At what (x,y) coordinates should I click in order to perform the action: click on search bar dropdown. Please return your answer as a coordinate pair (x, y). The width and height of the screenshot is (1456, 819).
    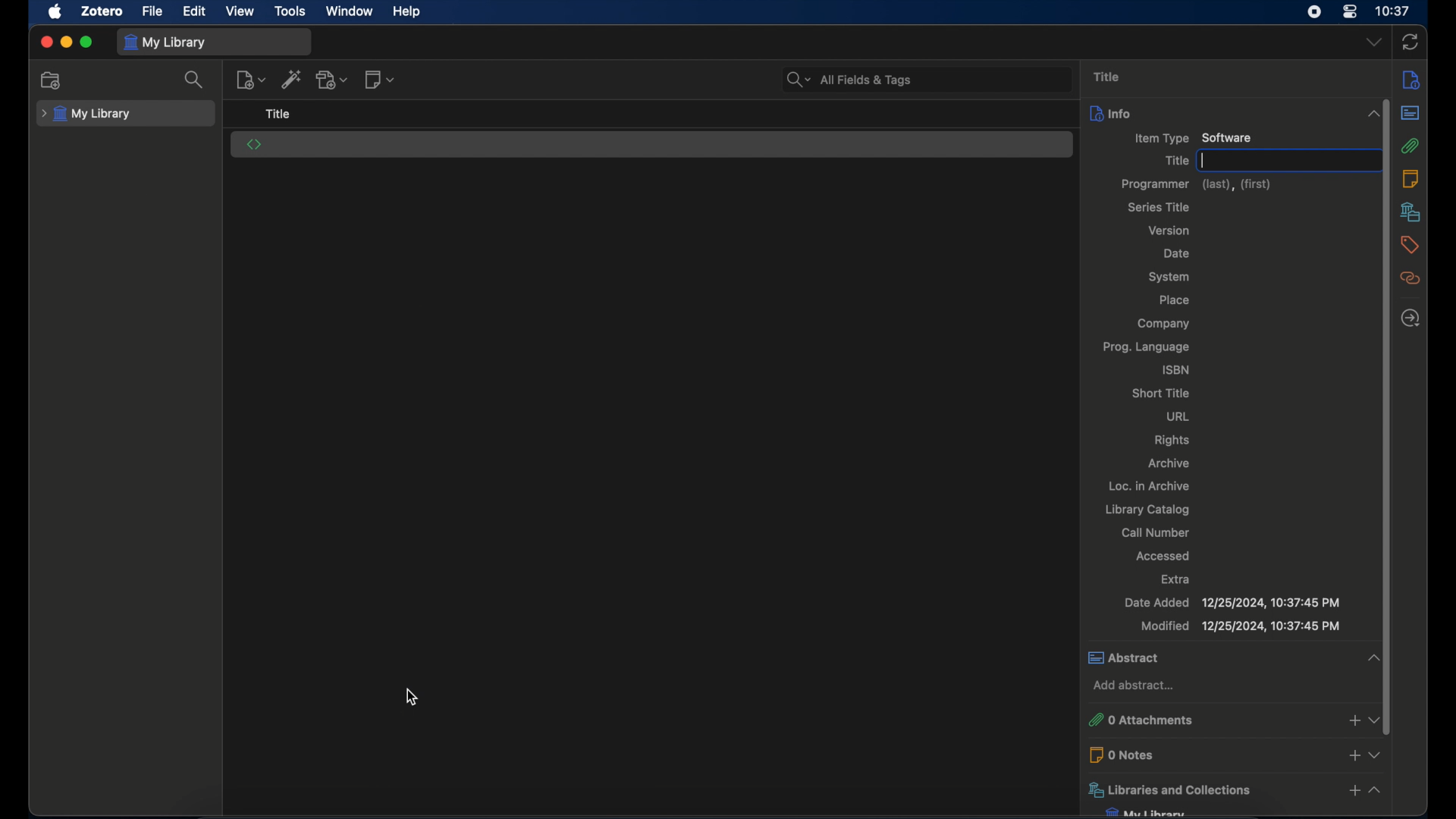
    Looking at the image, I should click on (799, 80).